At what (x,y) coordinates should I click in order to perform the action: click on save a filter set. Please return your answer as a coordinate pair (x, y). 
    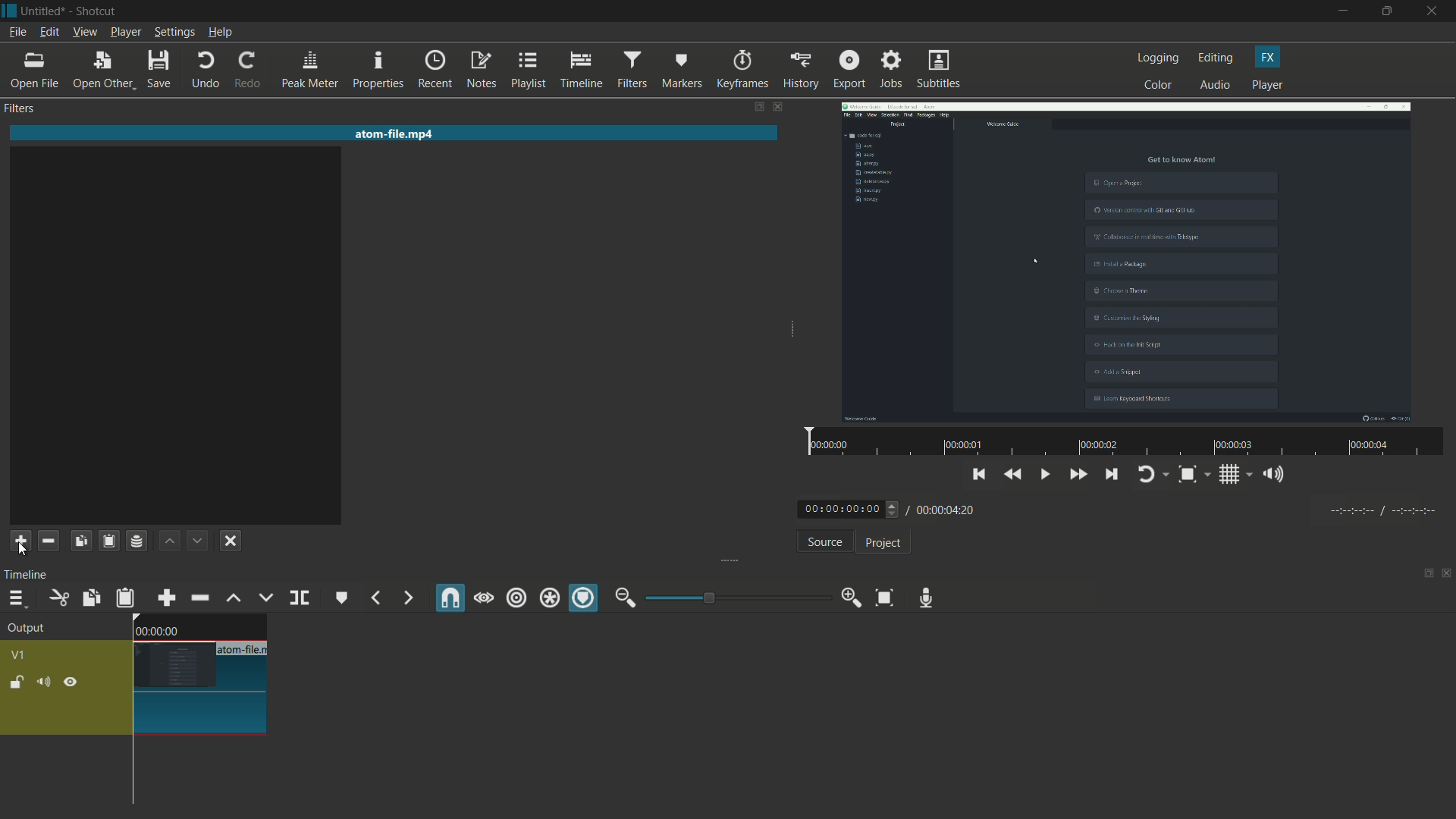
    Looking at the image, I should click on (136, 542).